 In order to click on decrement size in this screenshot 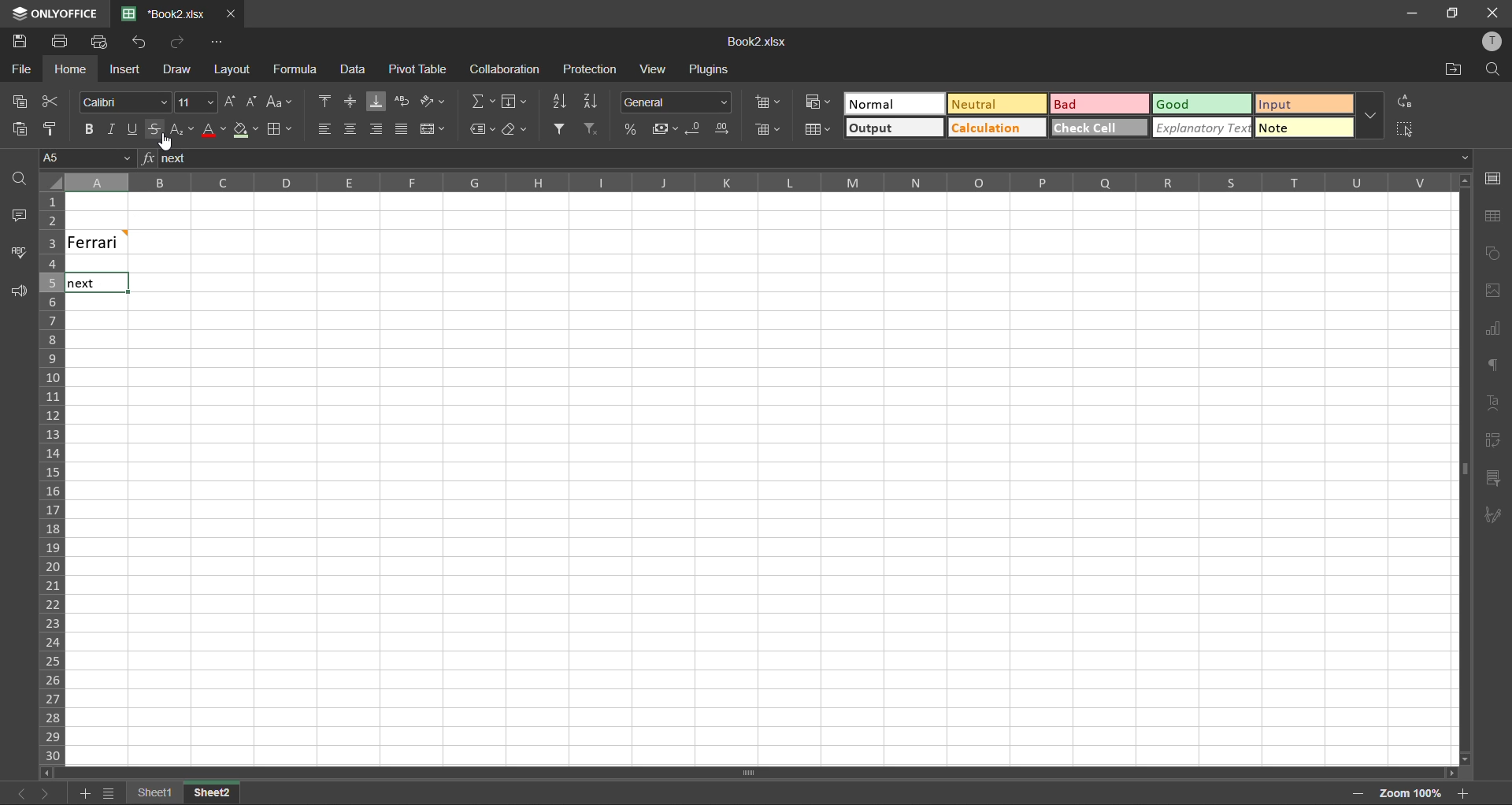, I will do `click(254, 103)`.